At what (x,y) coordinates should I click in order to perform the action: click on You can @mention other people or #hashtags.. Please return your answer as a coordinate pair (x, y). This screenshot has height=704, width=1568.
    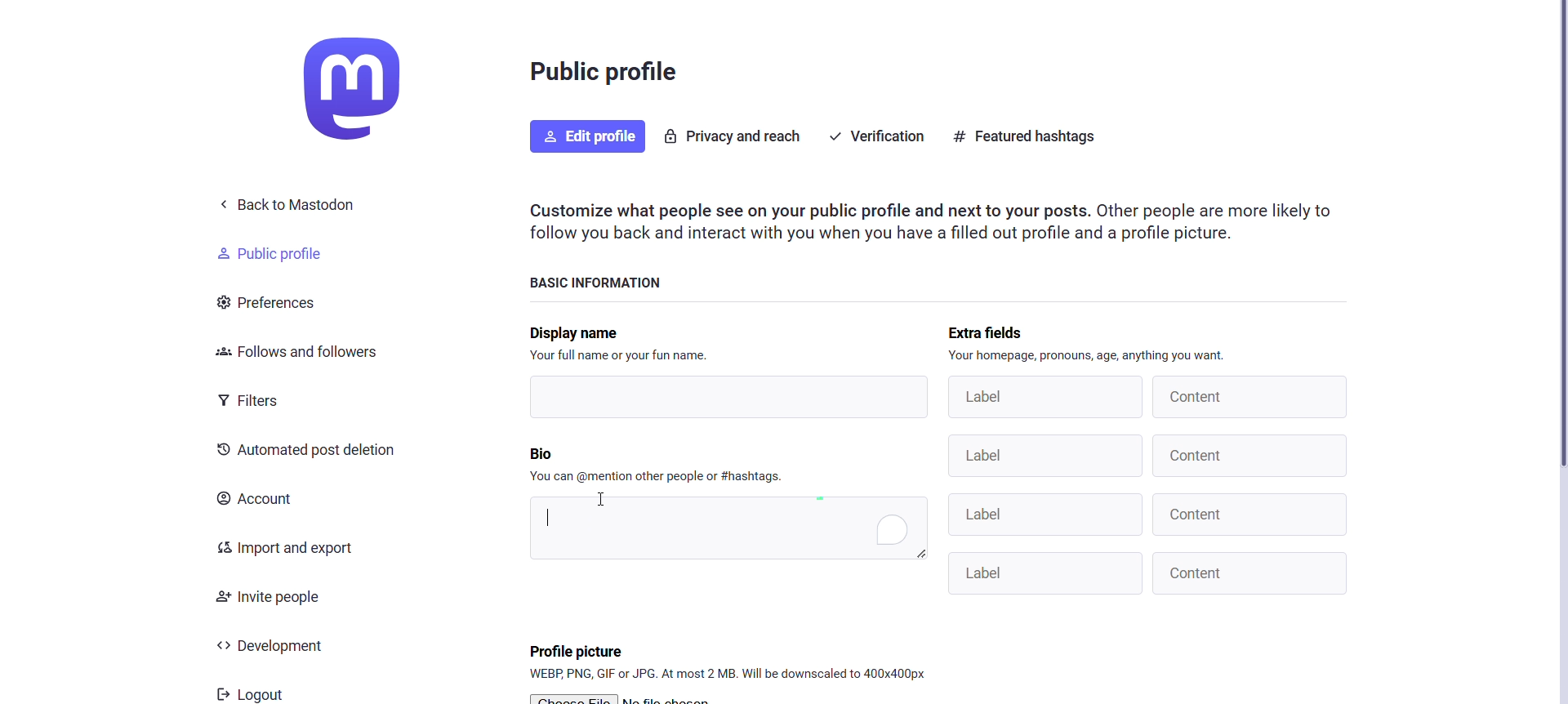
    Looking at the image, I should click on (660, 474).